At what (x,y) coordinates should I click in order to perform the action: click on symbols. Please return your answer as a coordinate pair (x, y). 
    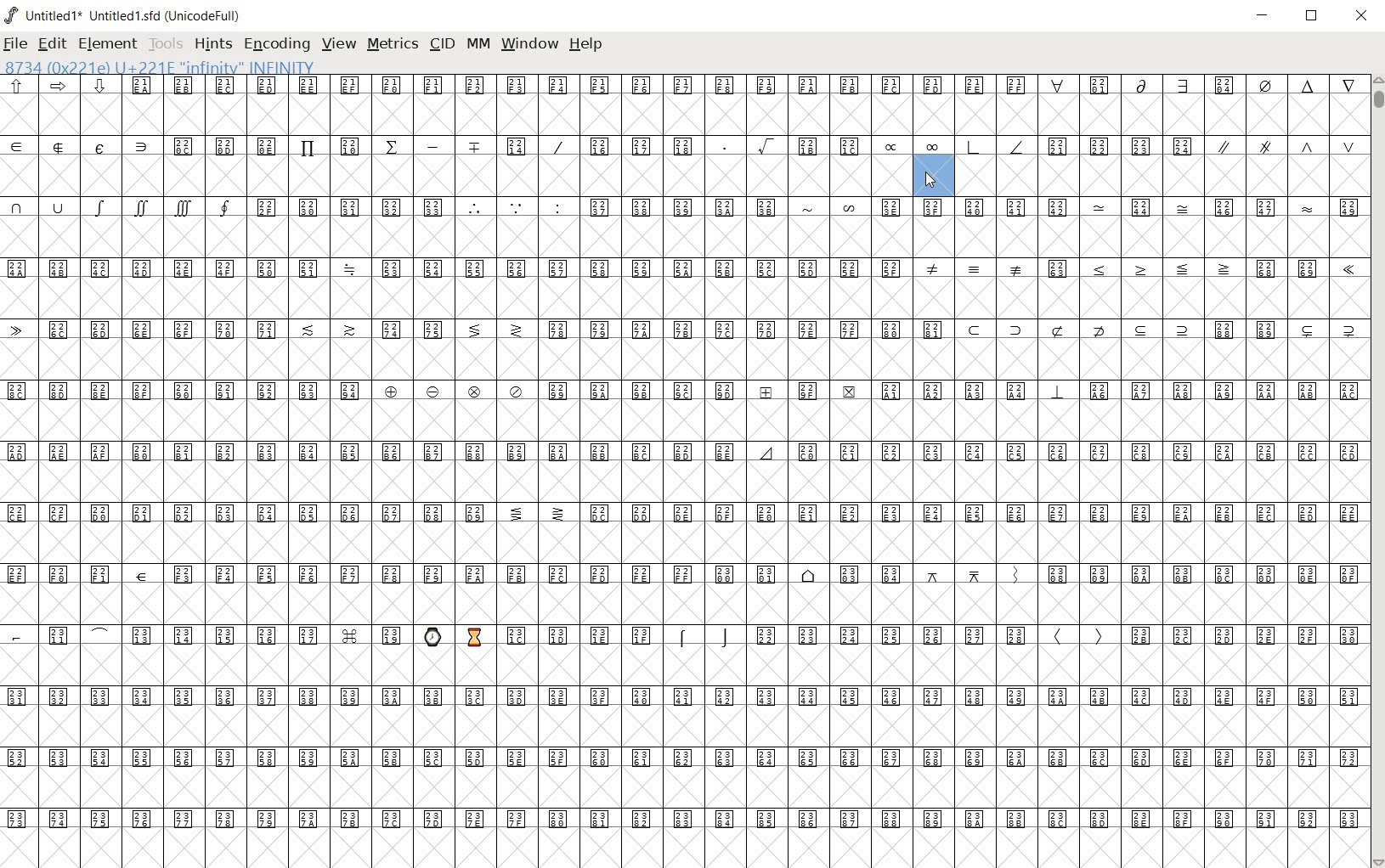
    Looking at the image, I should click on (1078, 636).